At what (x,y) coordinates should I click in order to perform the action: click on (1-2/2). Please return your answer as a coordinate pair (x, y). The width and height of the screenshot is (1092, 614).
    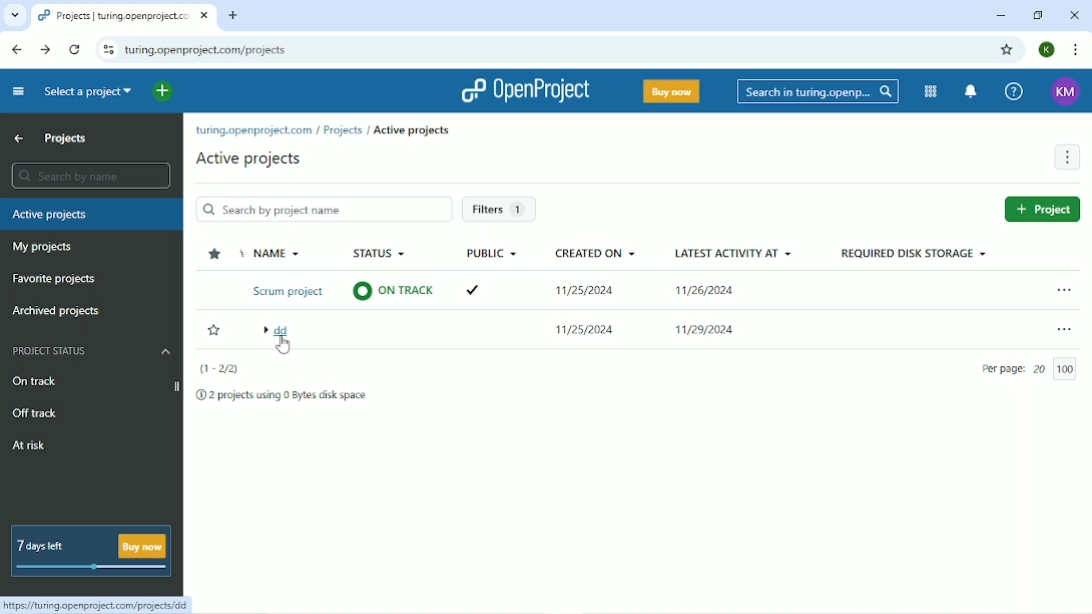
    Looking at the image, I should click on (220, 369).